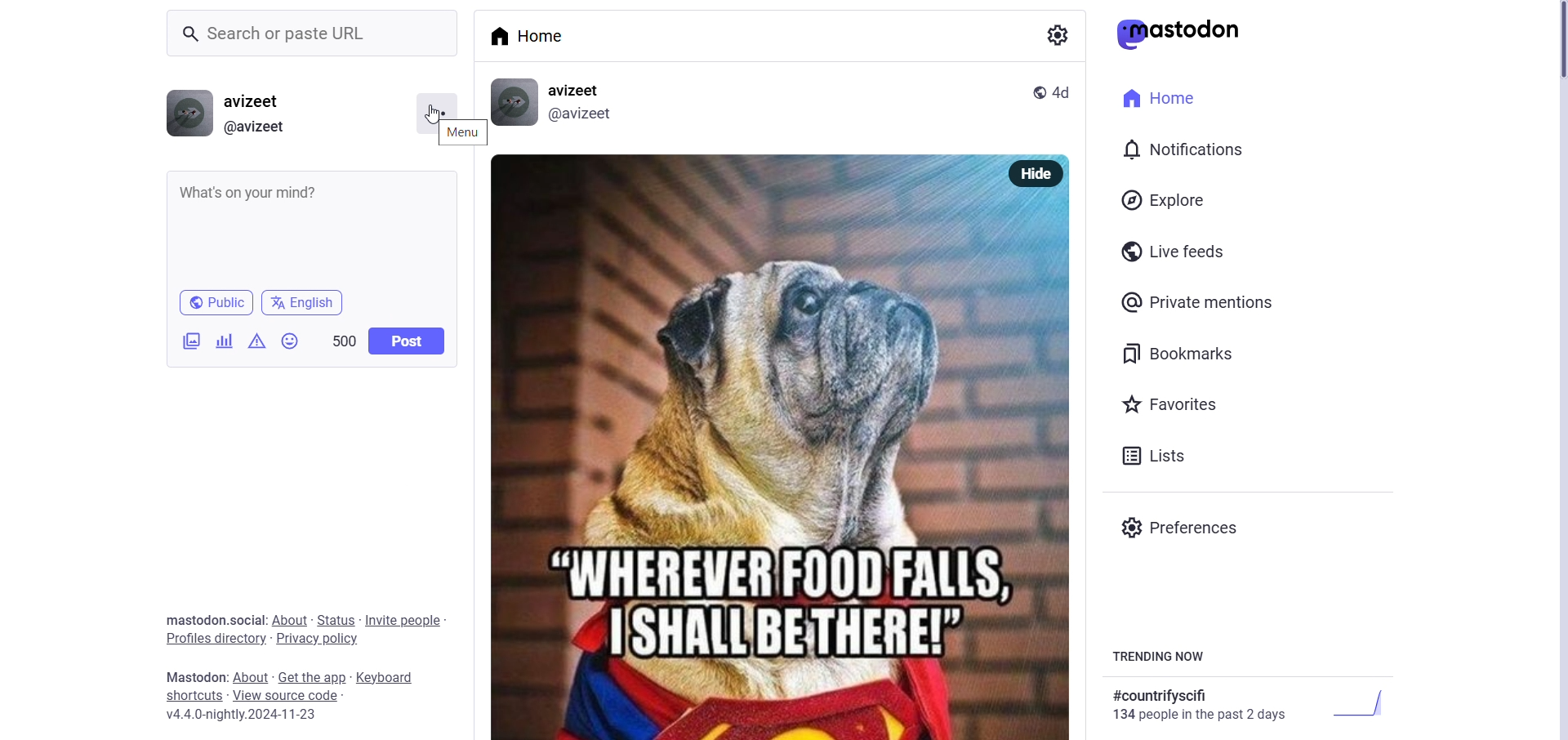  What do you see at coordinates (246, 619) in the screenshot?
I see `social` at bounding box center [246, 619].